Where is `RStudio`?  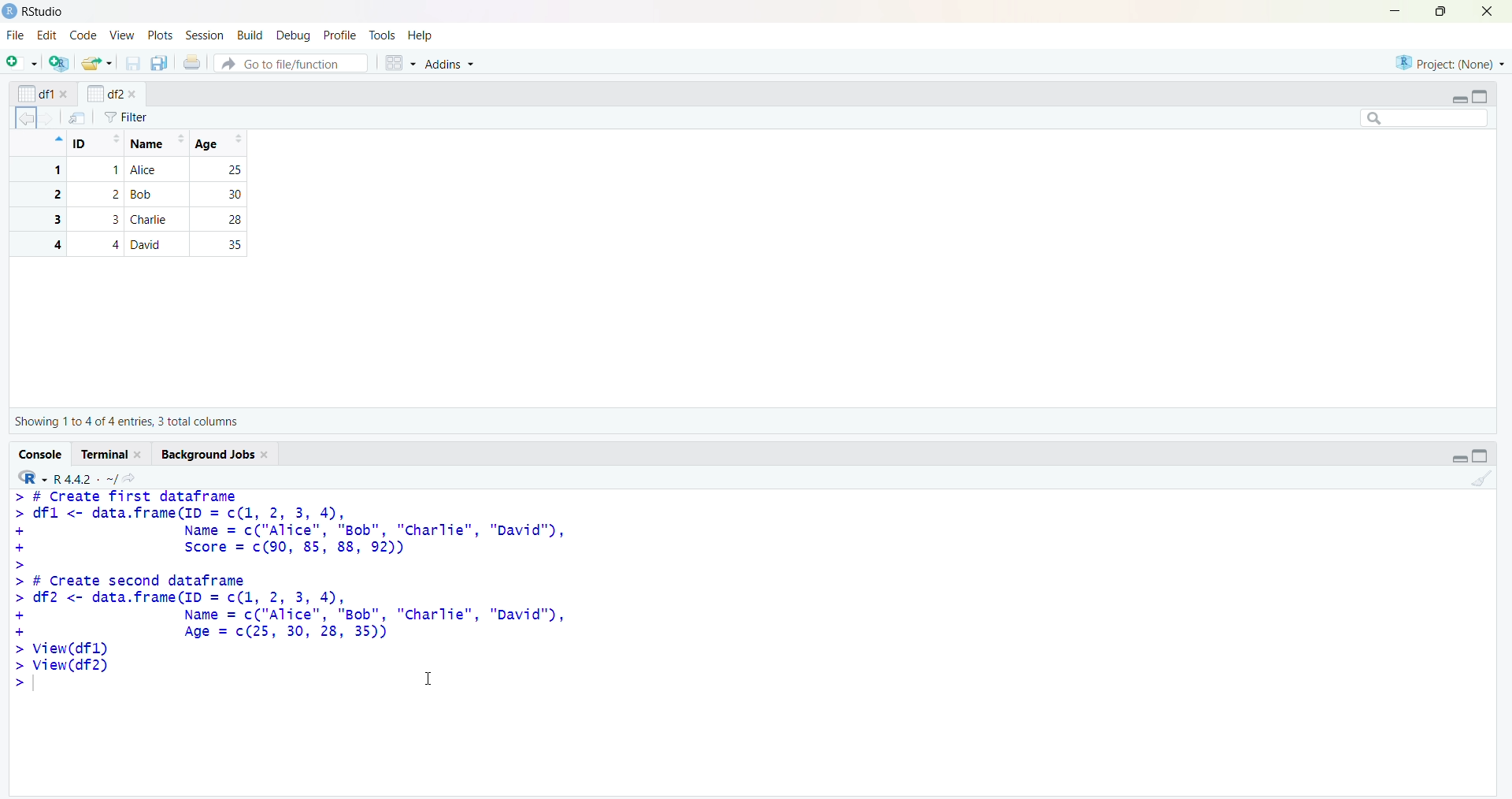
RStudio is located at coordinates (45, 12).